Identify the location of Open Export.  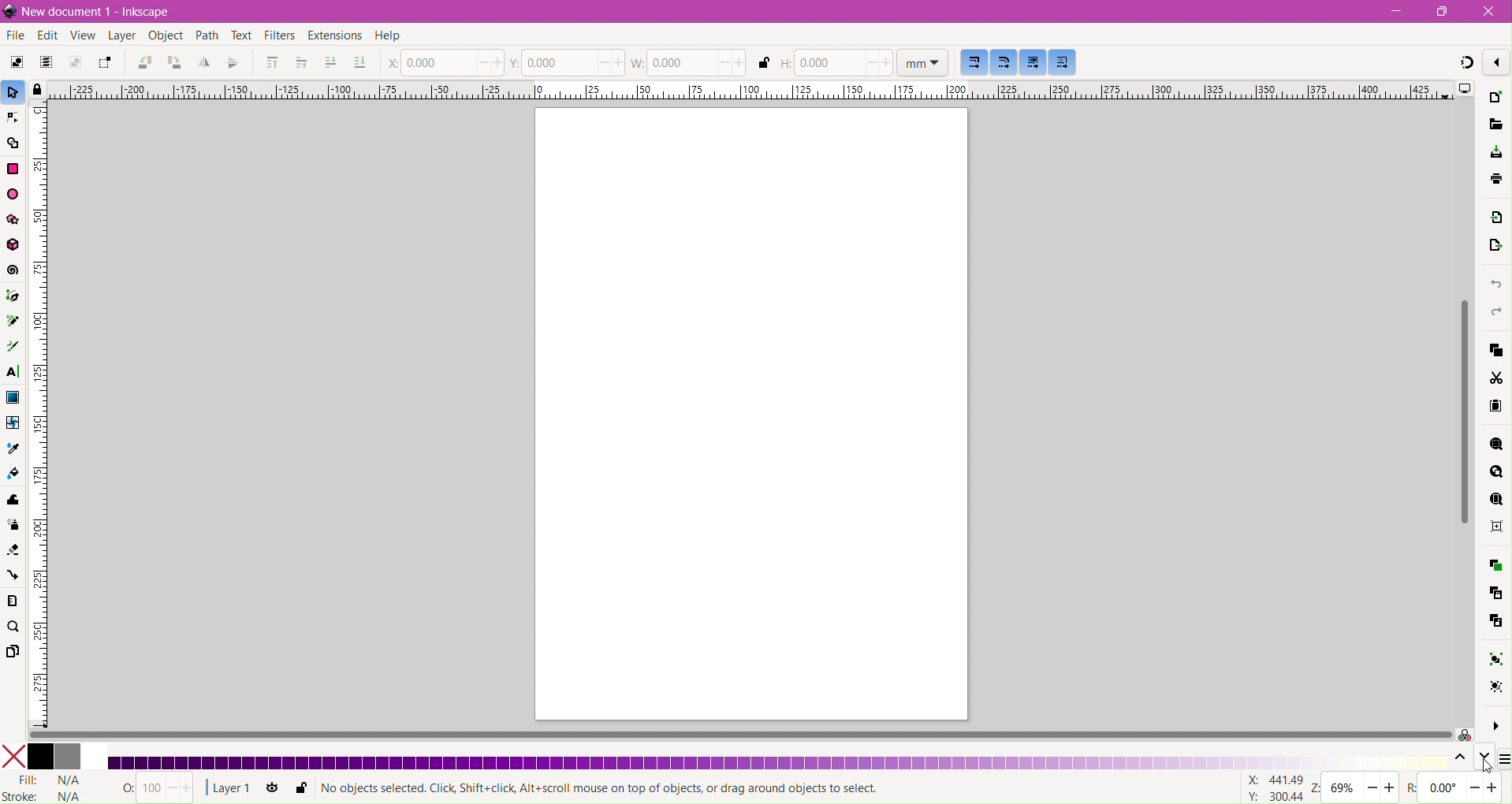
(1494, 248).